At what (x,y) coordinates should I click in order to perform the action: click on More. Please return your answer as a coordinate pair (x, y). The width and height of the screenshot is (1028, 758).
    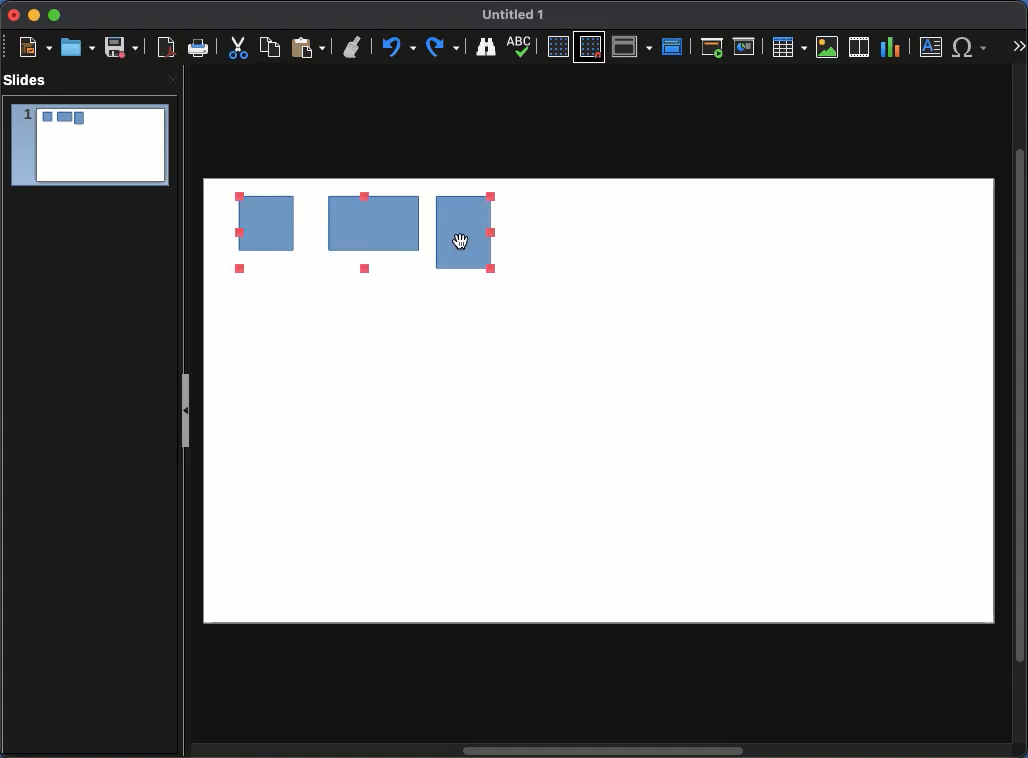
    Looking at the image, I should click on (1018, 41).